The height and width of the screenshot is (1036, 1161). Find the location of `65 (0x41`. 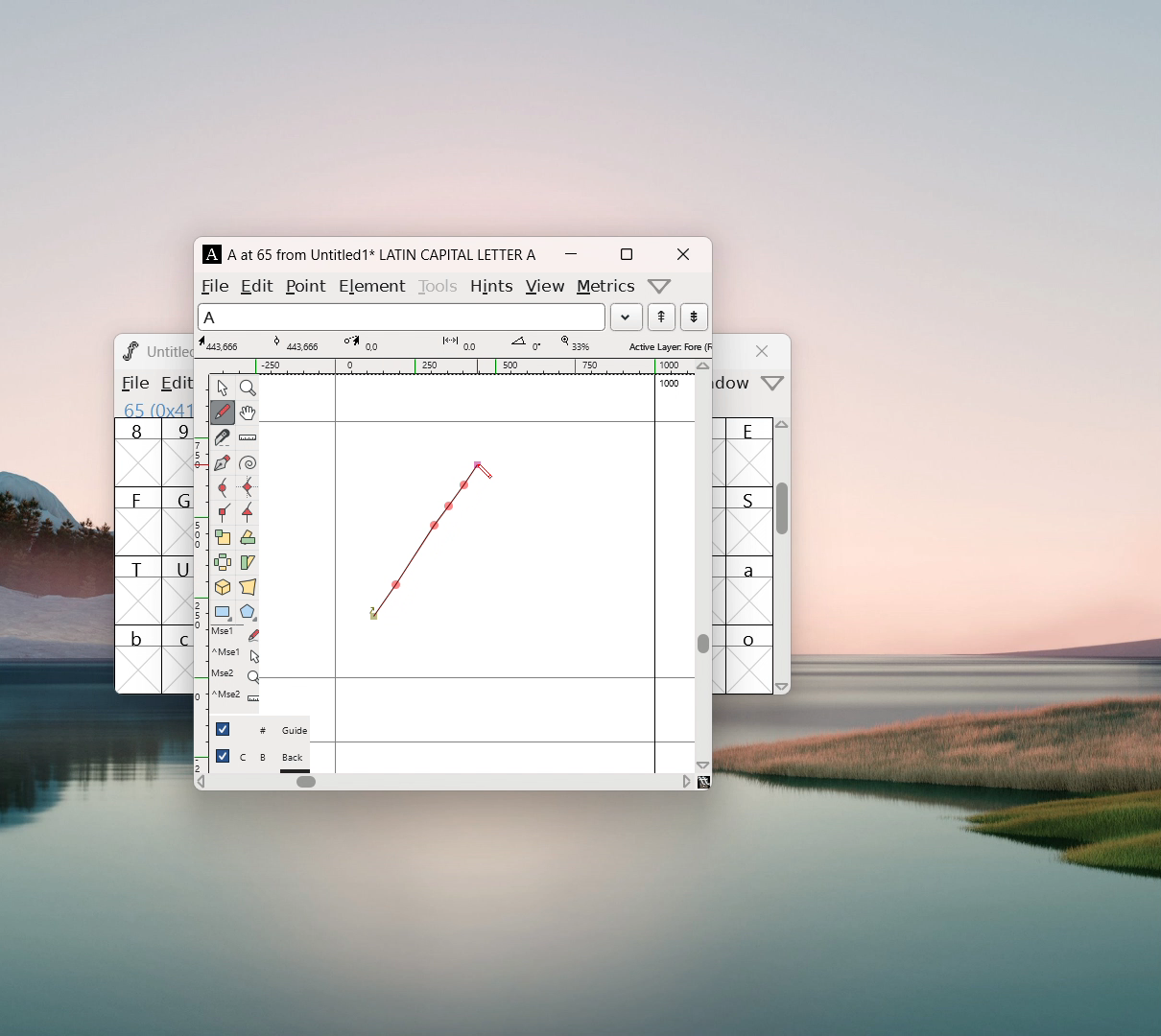

65 (0x41 is located at coordinates (154, 409).